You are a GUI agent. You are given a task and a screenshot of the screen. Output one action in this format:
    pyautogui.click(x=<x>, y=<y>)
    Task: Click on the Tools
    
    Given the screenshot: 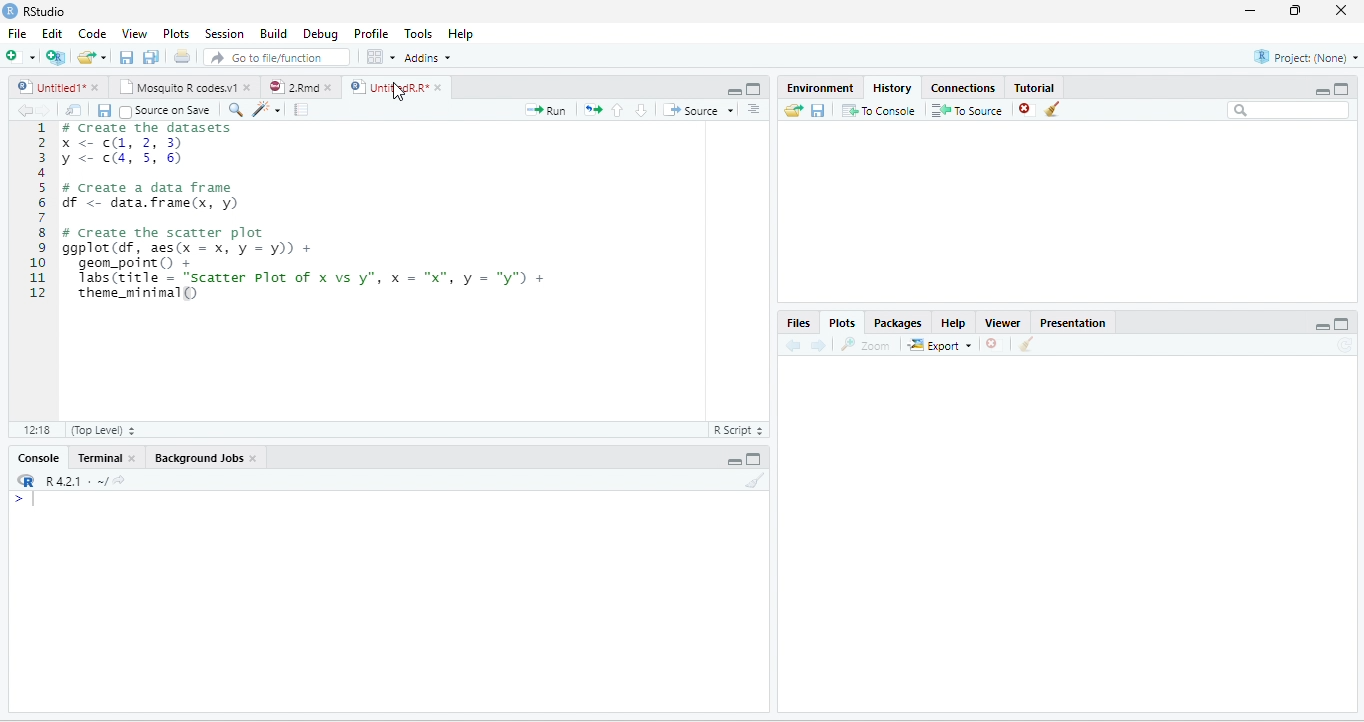 What is the action you would take?
    pyautogui.click(x=419, y=33)
    